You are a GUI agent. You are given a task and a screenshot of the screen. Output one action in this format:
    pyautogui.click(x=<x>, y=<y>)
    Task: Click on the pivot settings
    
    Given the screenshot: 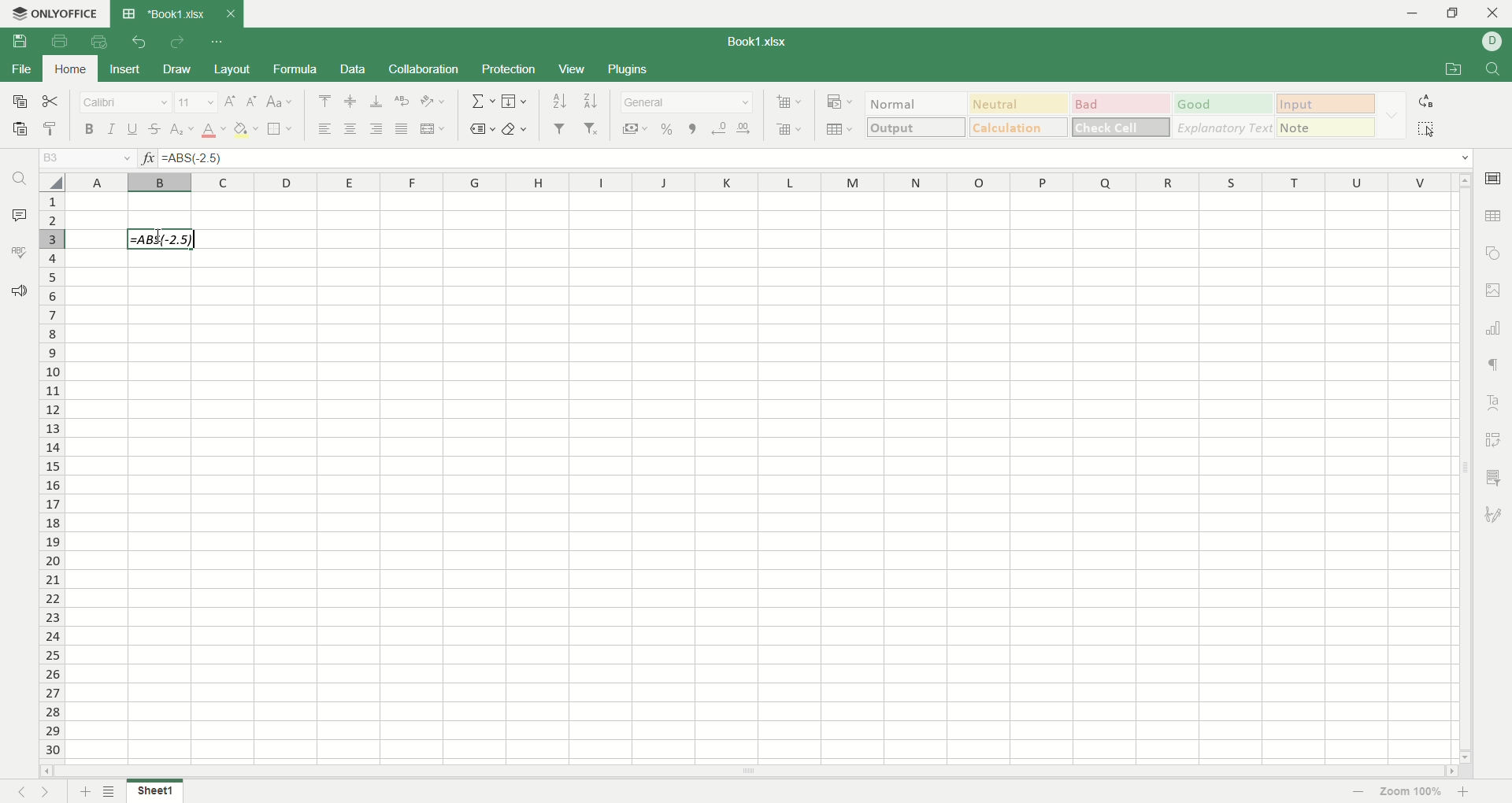 What is the action you would take?
    pyautogui.click(x=1497, y=439)
    